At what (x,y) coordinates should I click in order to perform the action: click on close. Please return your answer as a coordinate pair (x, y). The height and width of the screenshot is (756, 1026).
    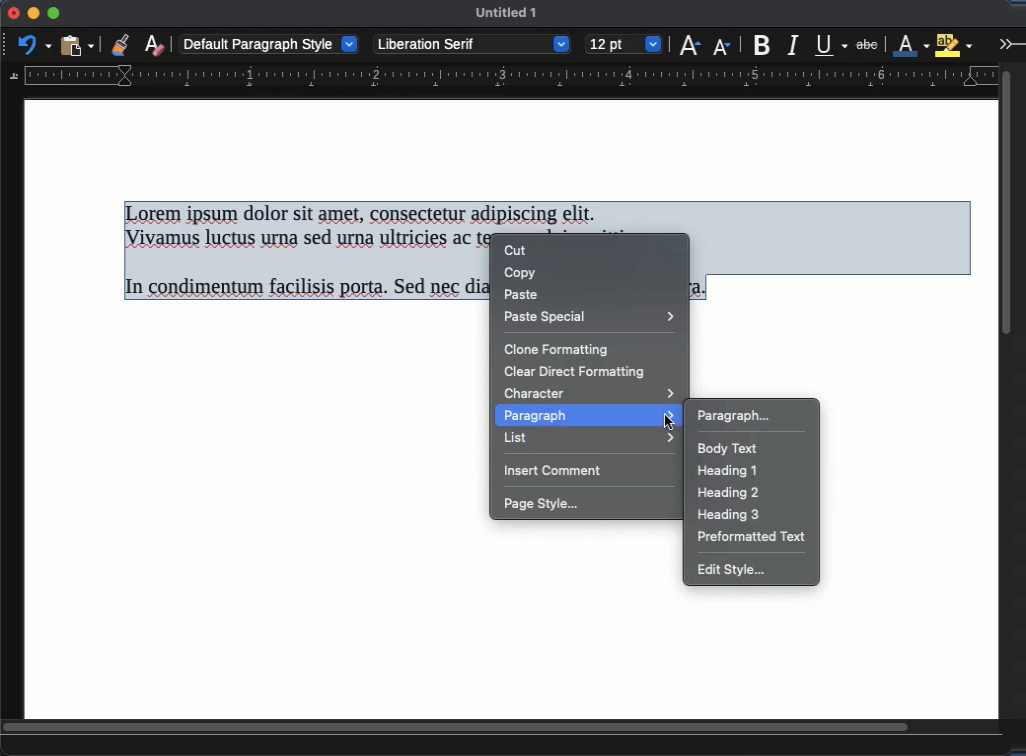
    Looking at the image, I should click on (12, 14).